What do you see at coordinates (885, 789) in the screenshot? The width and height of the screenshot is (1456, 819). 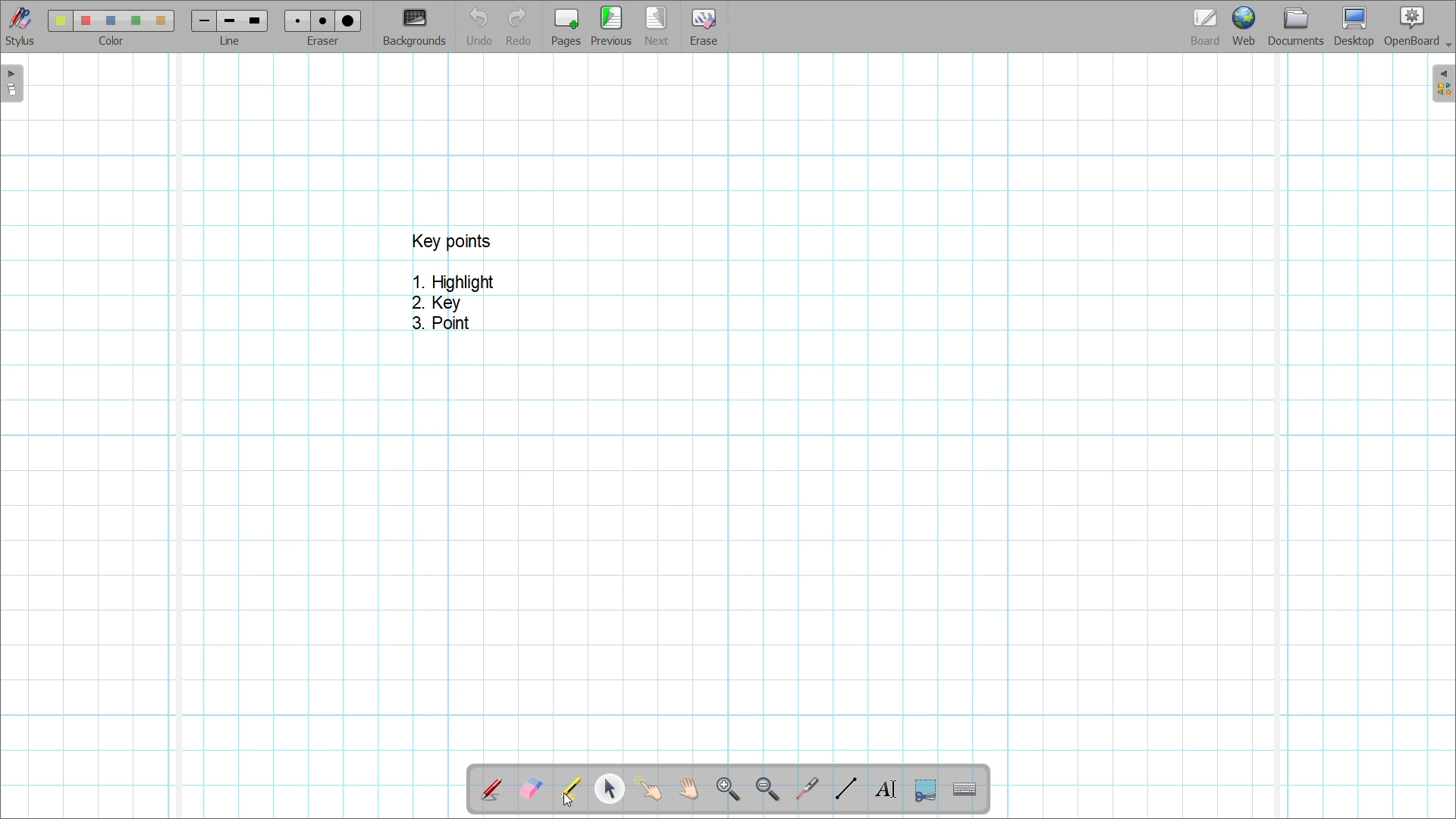 I see `Write text` at bounding box center [885, 789].